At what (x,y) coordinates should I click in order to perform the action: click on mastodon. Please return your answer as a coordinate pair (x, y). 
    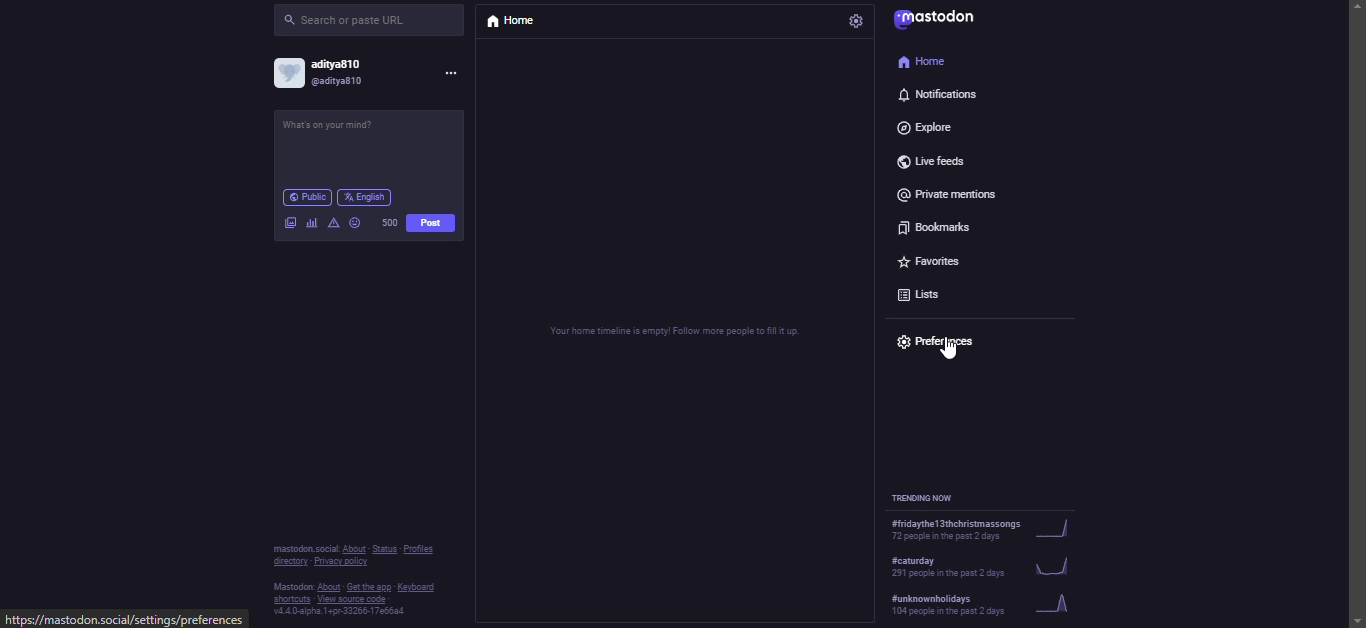
    Looking at the image, I should click on (941, 23).